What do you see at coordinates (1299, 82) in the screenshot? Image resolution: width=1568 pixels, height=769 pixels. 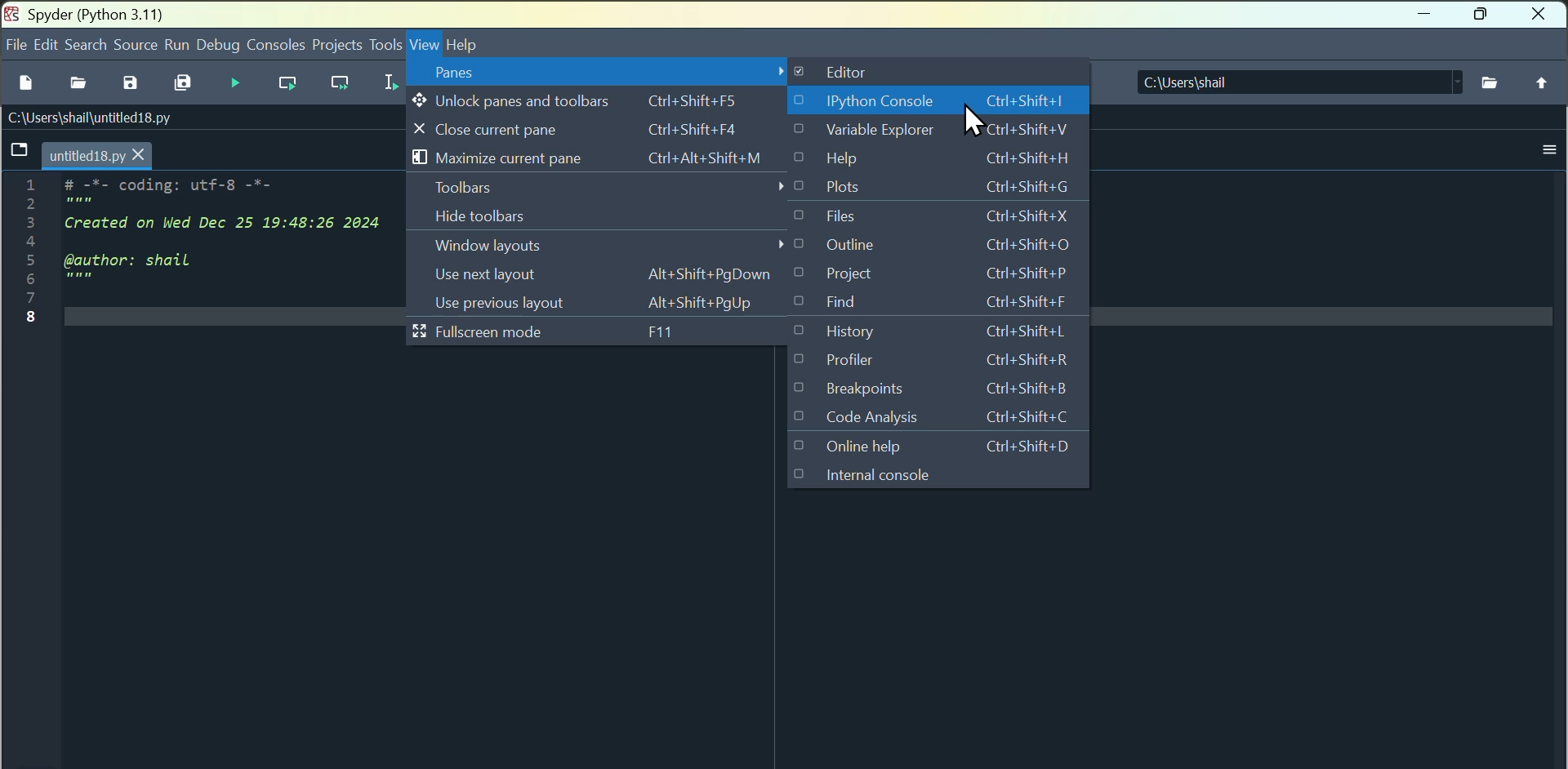 I see `C:\Users\shail` at bounding box center [1299, 82].